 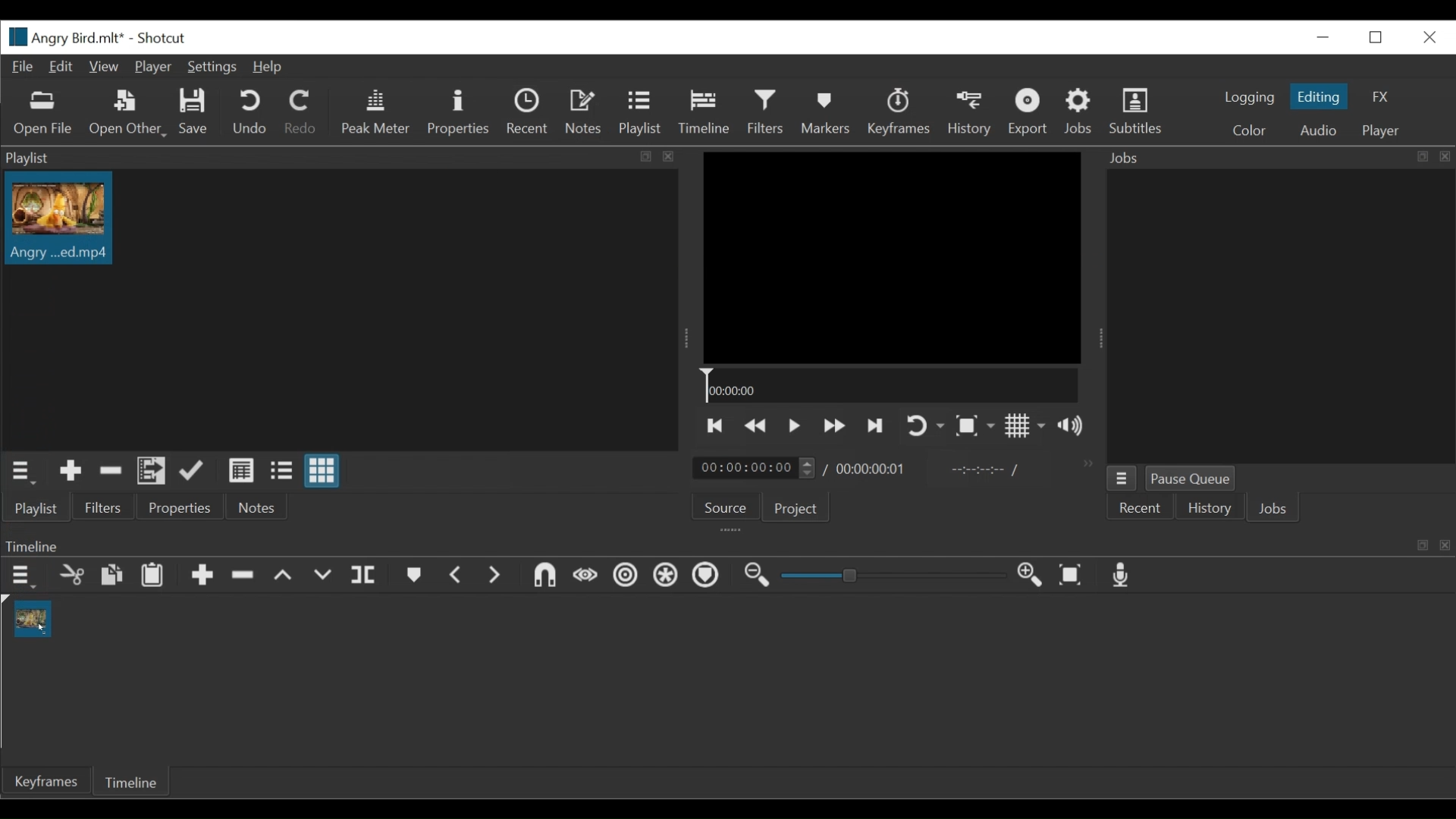 What do you see at coordinates (620, 578) in the screenshot?
I see `Set Second Simple Keyframe` at bounding box center [620, 578].